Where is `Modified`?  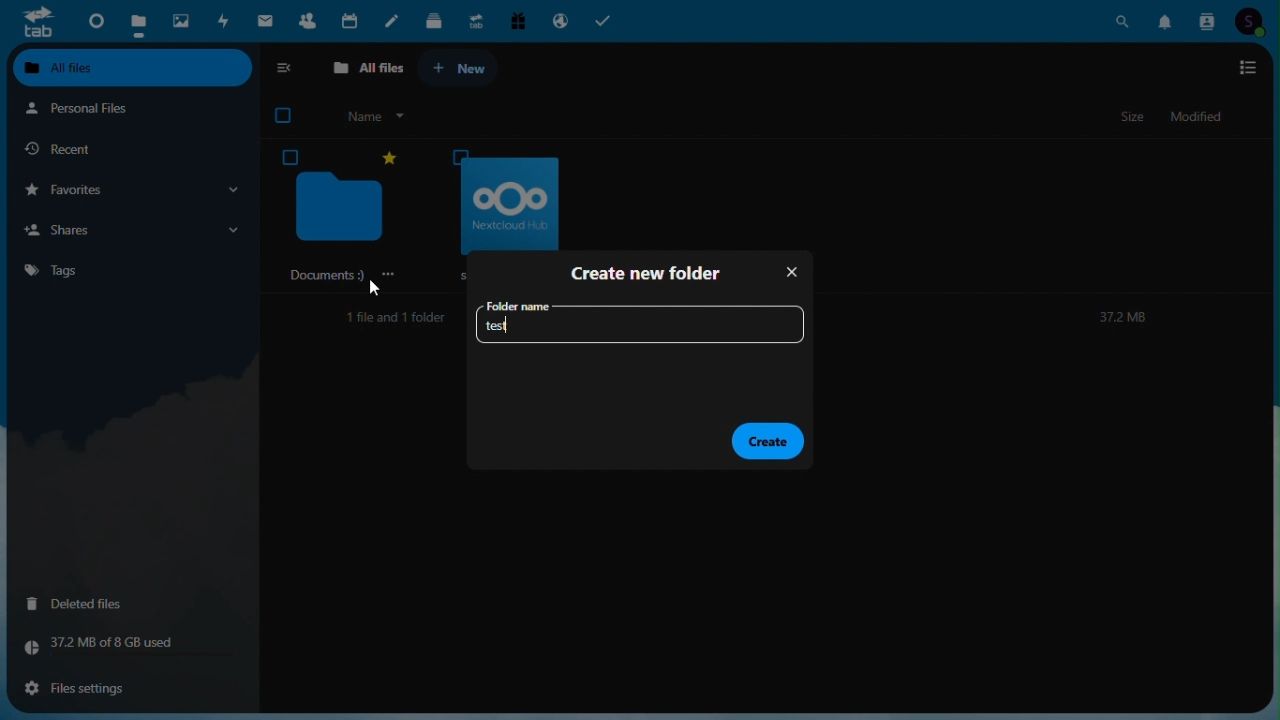
Modified is located at coordinates (1210, 118).